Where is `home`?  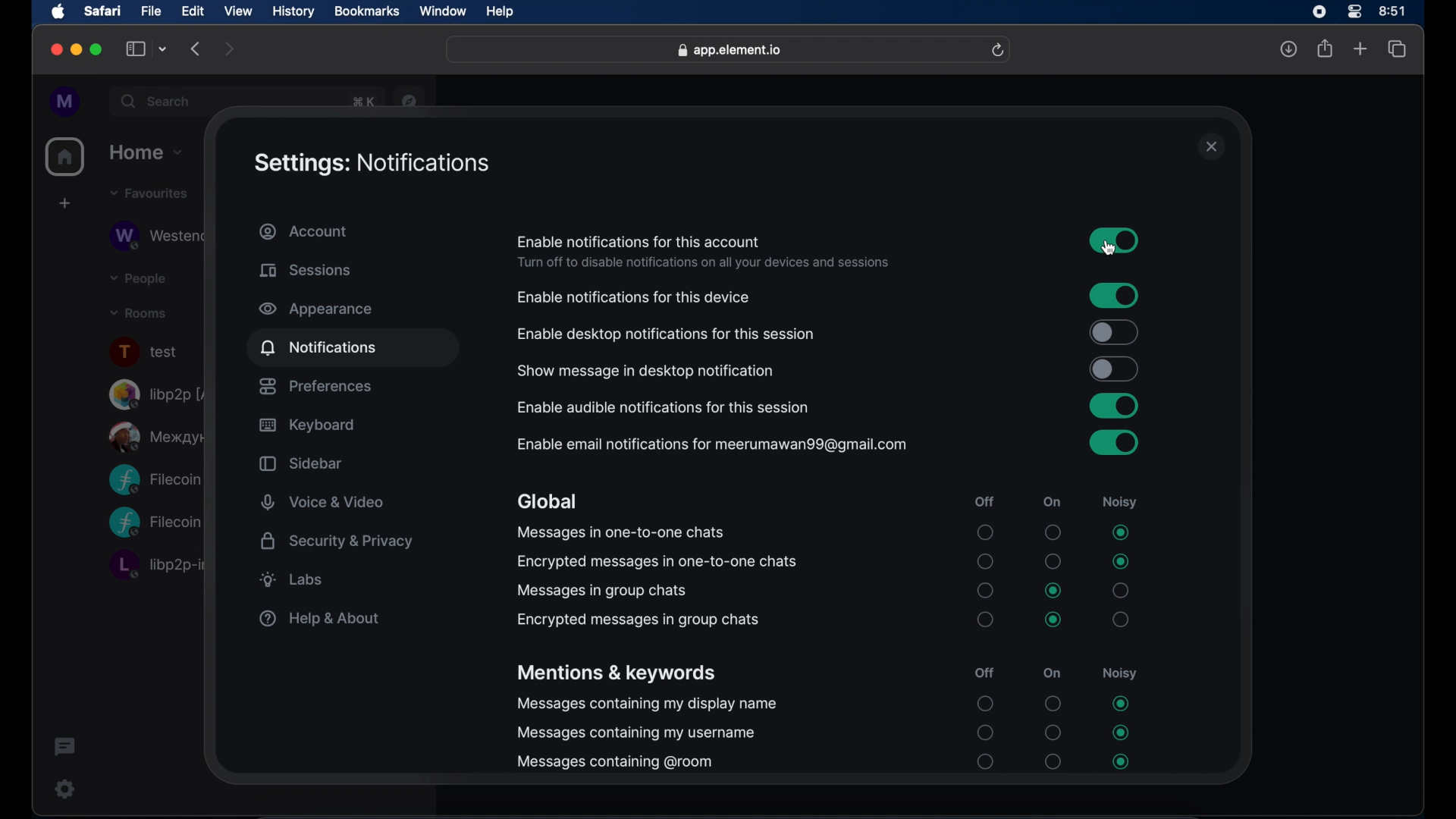
home is located at coordinates (66, 157).